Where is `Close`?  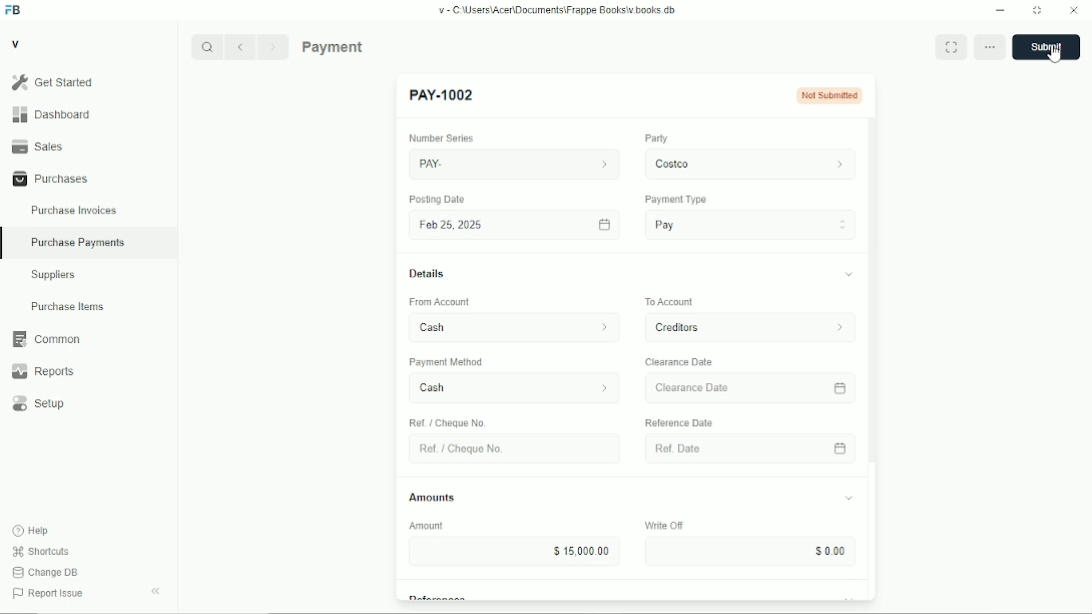
Close is located at coordinates (1074, 10).